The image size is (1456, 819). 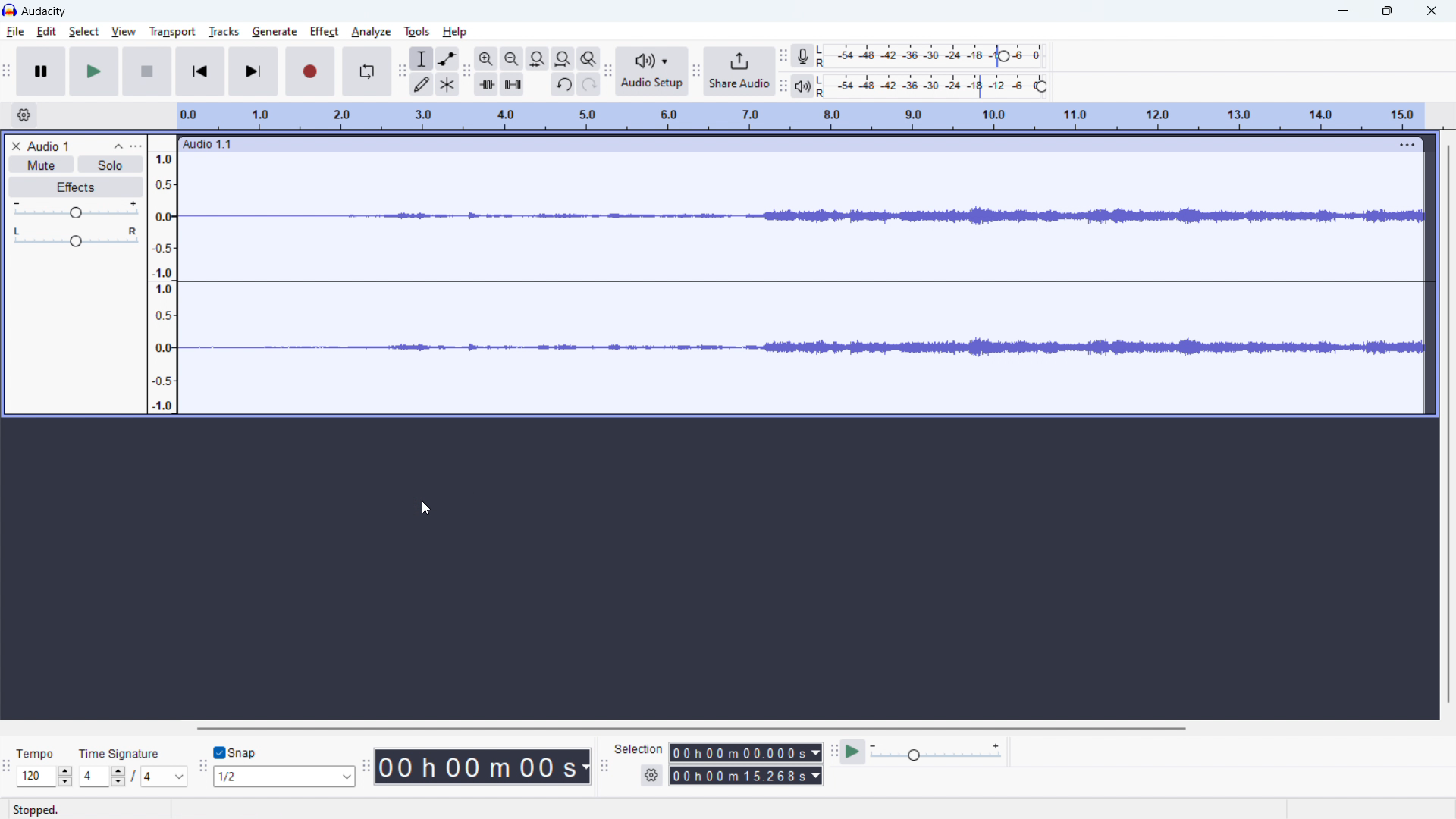 I want to click on tools toolbar , so click(x=401, y=71).